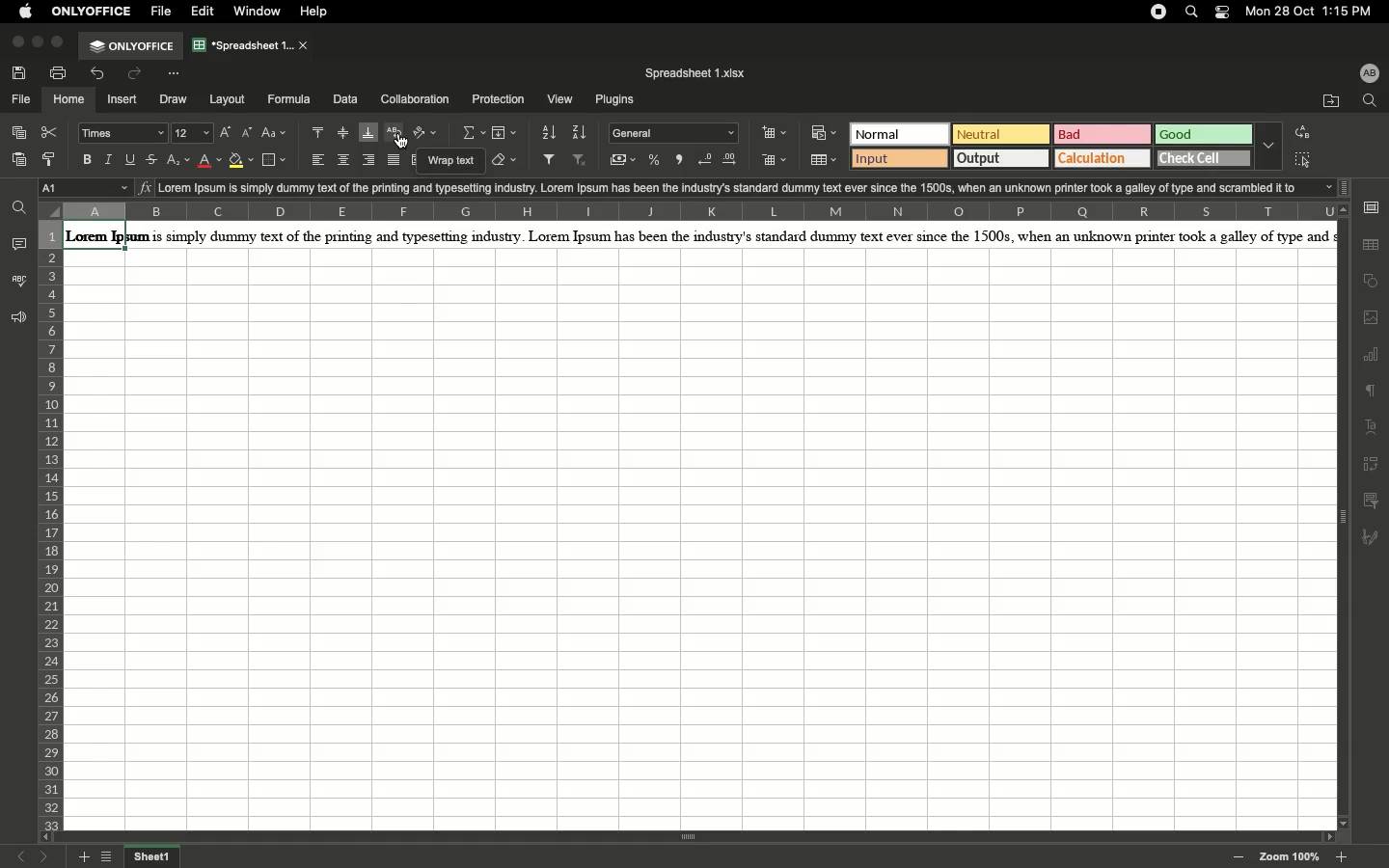  Describe the element at coordinates (1326, 834) in the screenshot. I see `move right` at that location.